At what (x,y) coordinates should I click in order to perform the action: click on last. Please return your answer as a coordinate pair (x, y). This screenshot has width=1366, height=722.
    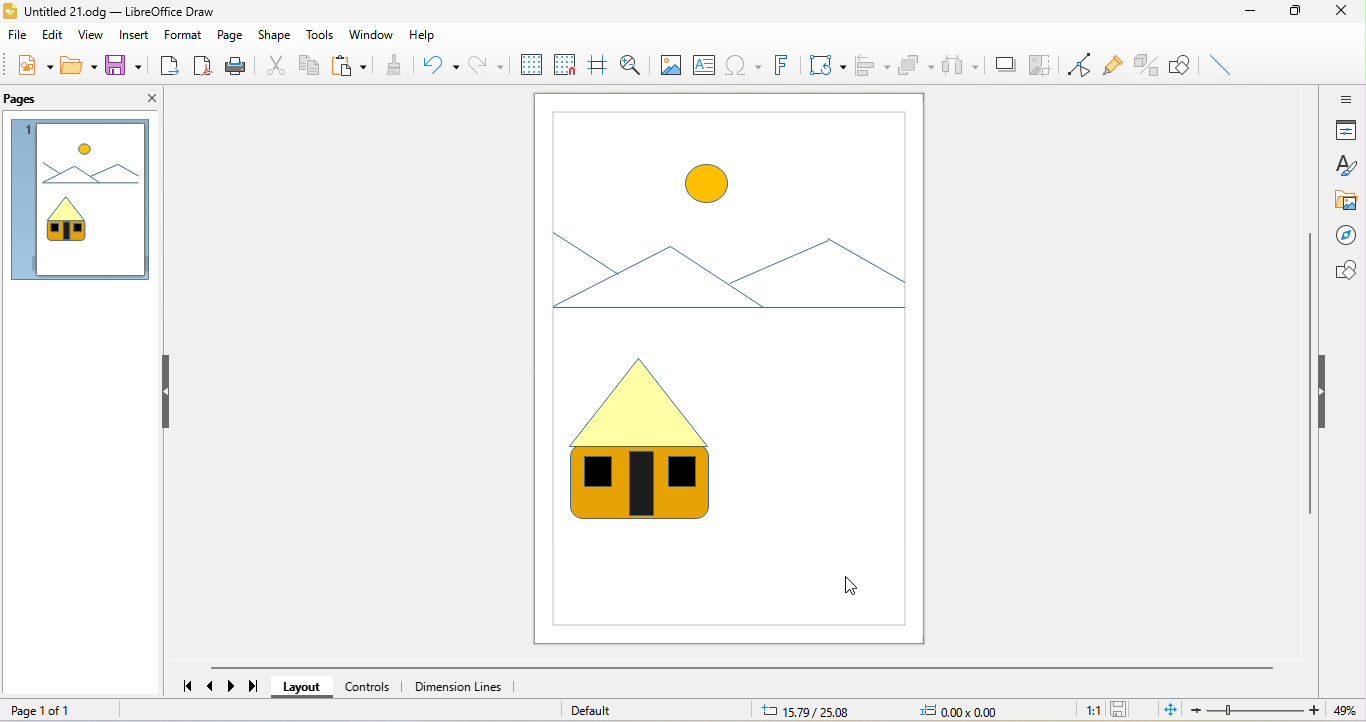
    Looking at the image, I should click on (254, 687).